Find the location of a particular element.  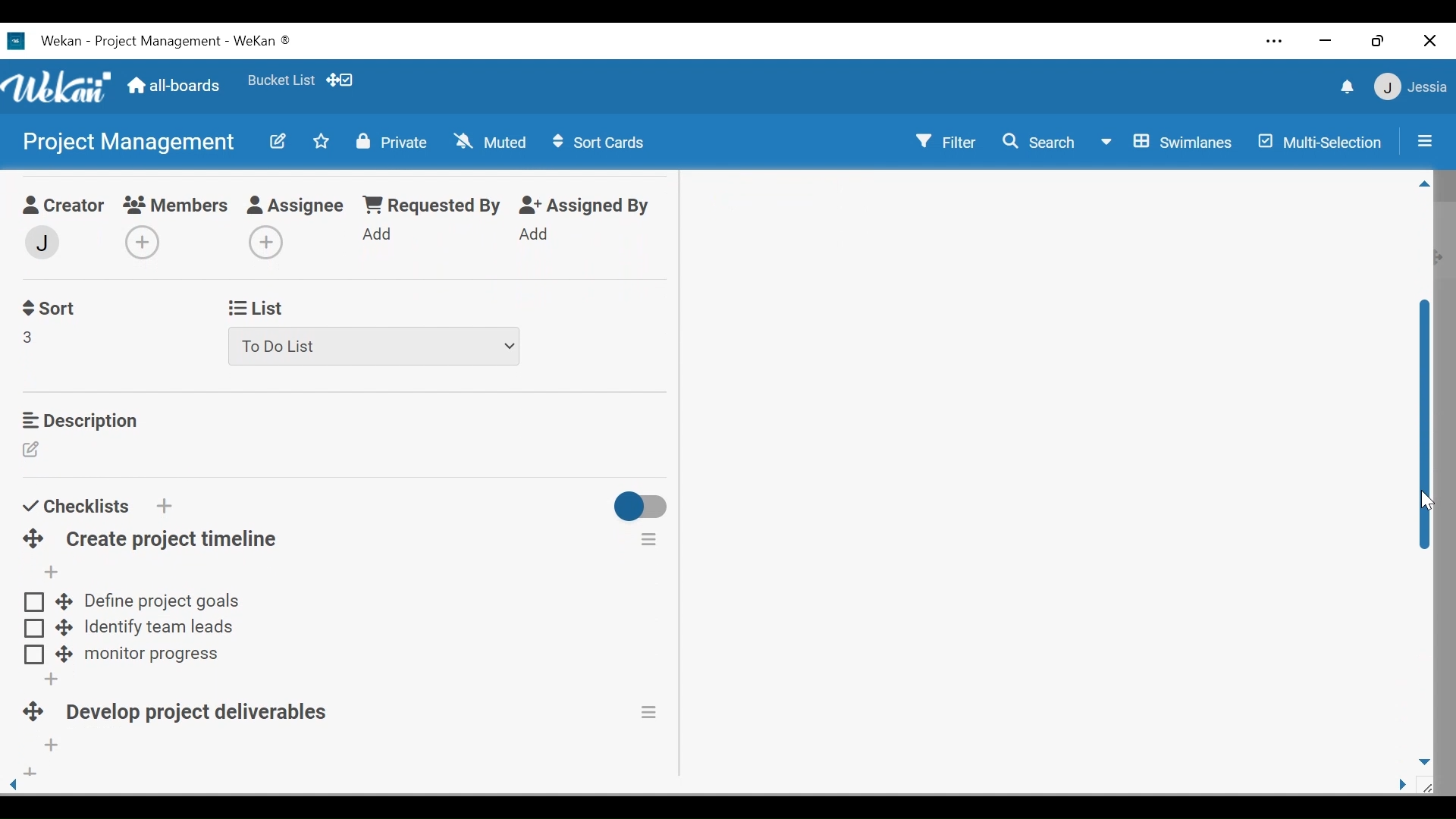

restore is located at coordinates (1378, 42).